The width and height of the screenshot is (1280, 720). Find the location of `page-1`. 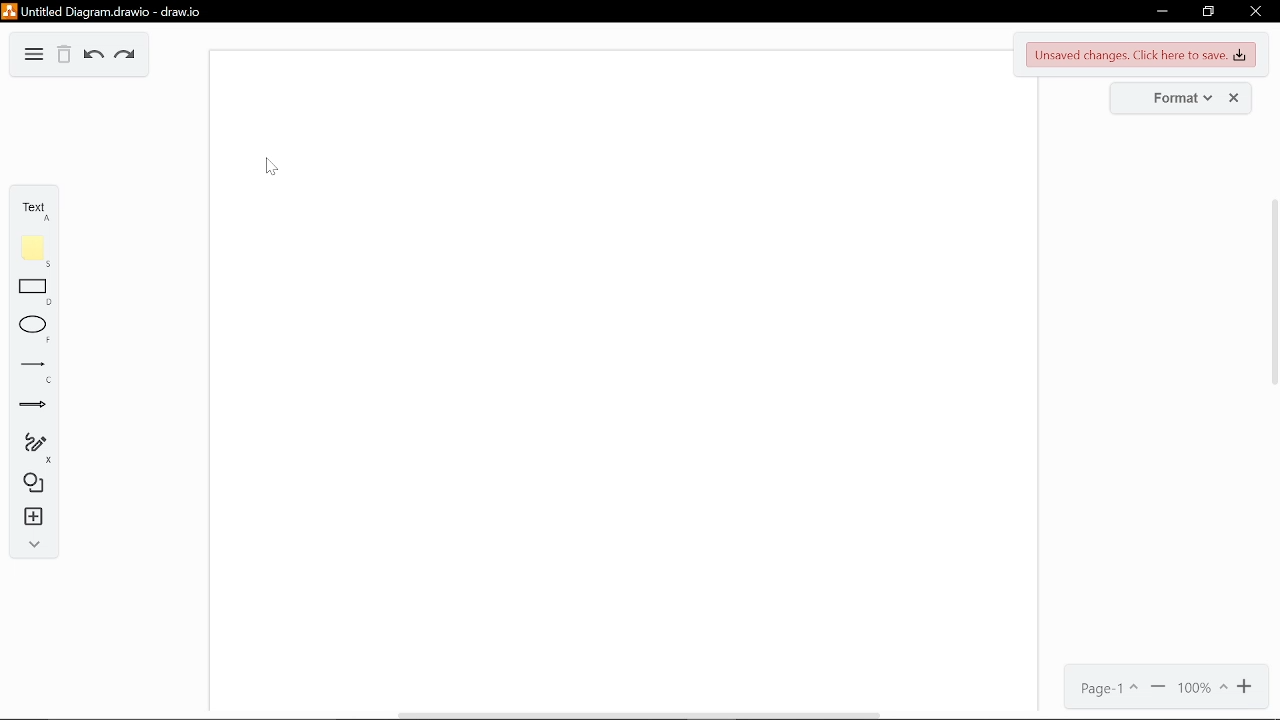

page-1 is located at coordinates (1112, 688).